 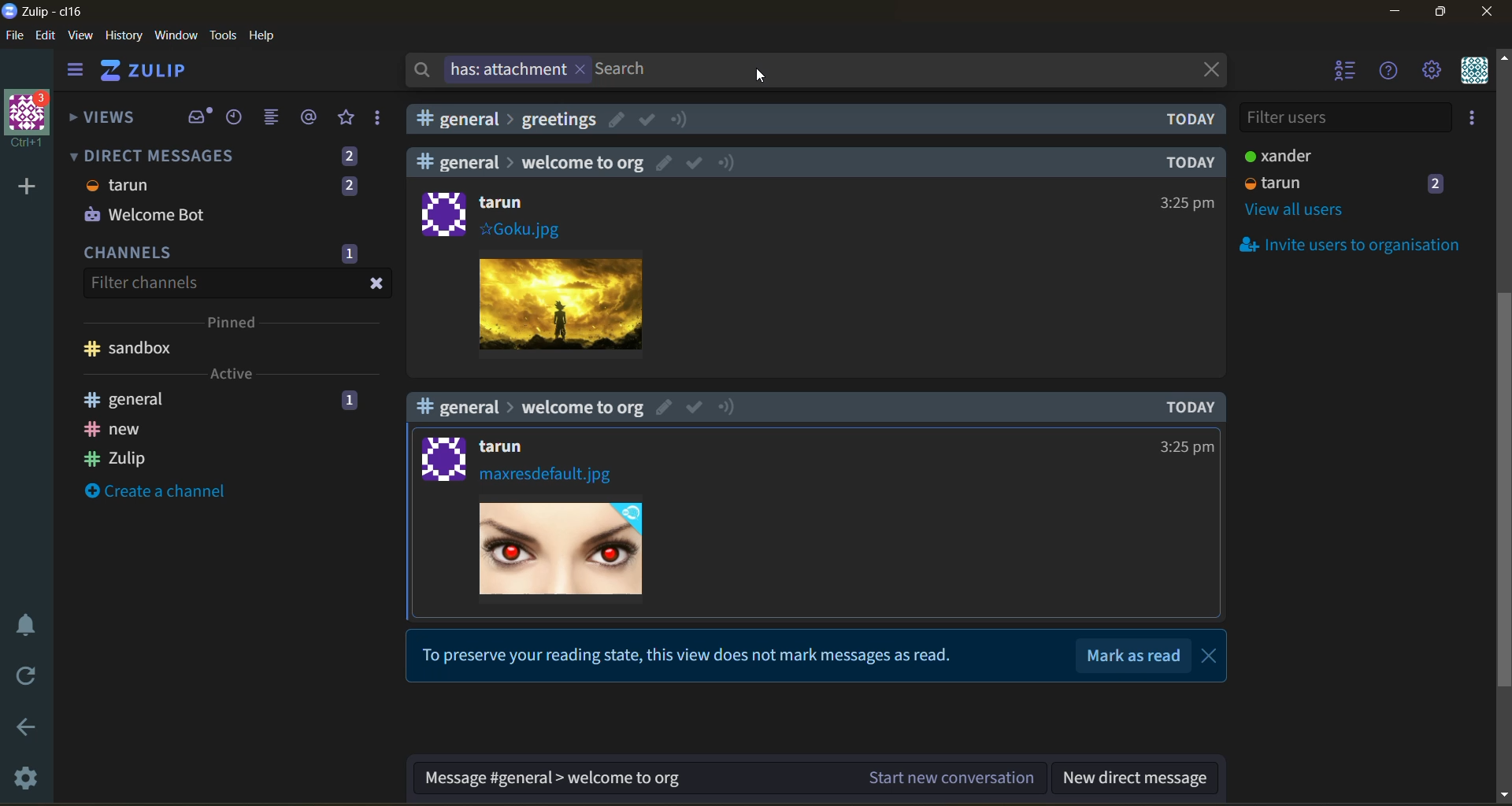 I want to click on window, so click(x=176, y=35).